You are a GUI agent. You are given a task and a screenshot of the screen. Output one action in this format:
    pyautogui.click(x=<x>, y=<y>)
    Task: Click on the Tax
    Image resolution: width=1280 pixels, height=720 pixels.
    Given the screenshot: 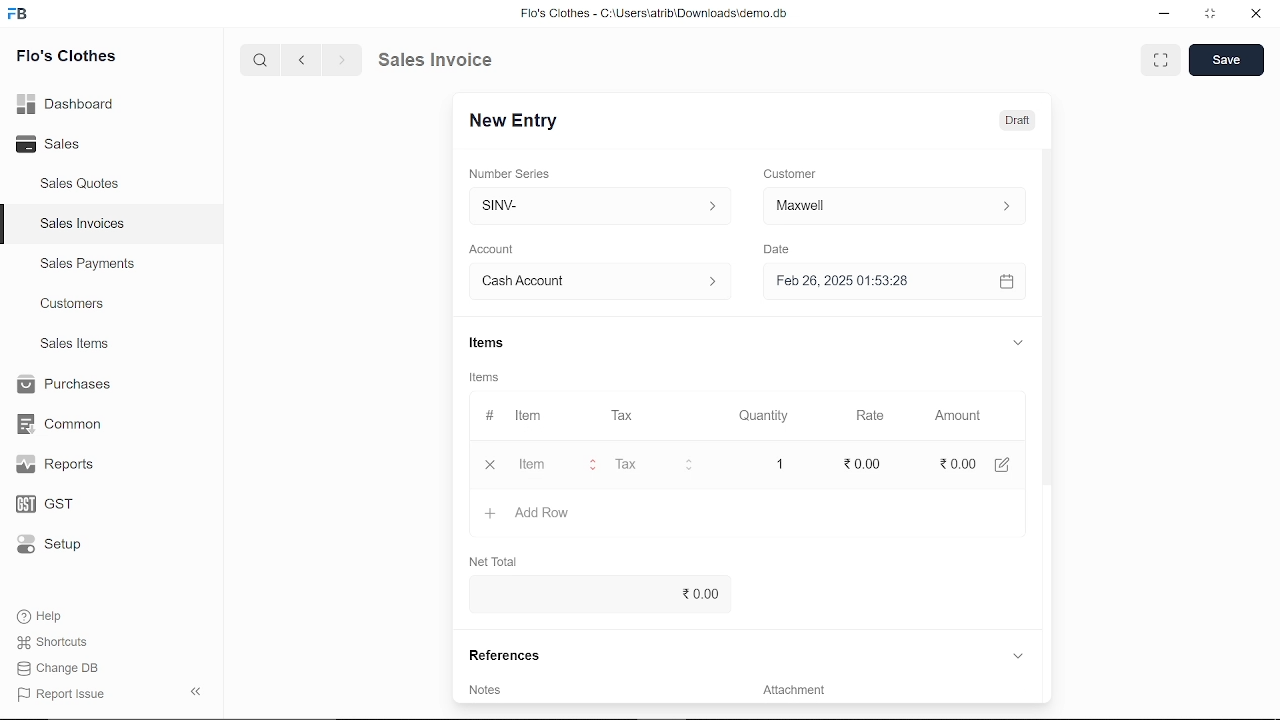 What is the action you would take?
    pyautogui.click(x=658, y=465)
    